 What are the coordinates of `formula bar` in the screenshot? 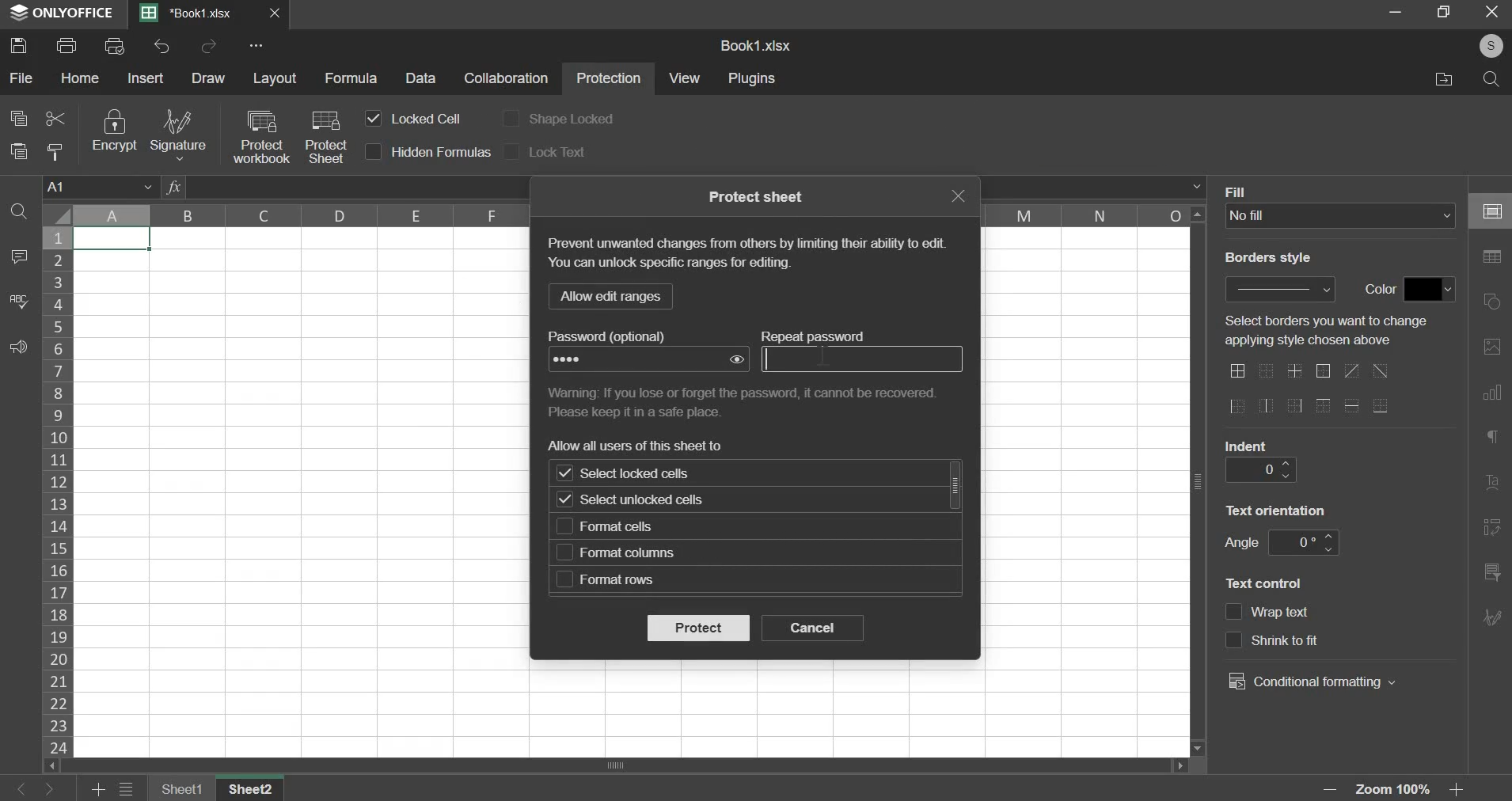 It's located at (1196, 186).